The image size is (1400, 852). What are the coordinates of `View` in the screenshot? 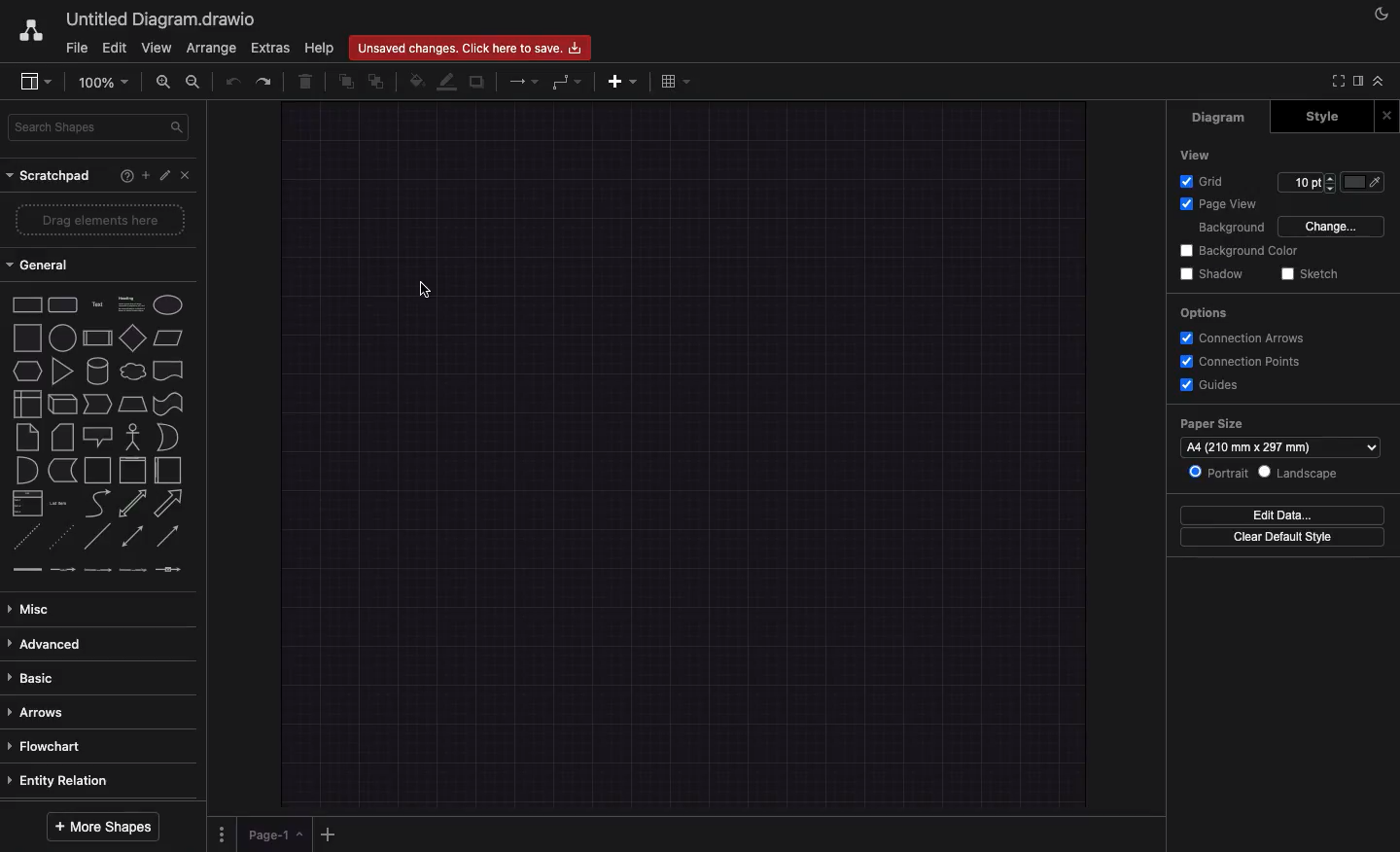 It's located at (1201, 154).